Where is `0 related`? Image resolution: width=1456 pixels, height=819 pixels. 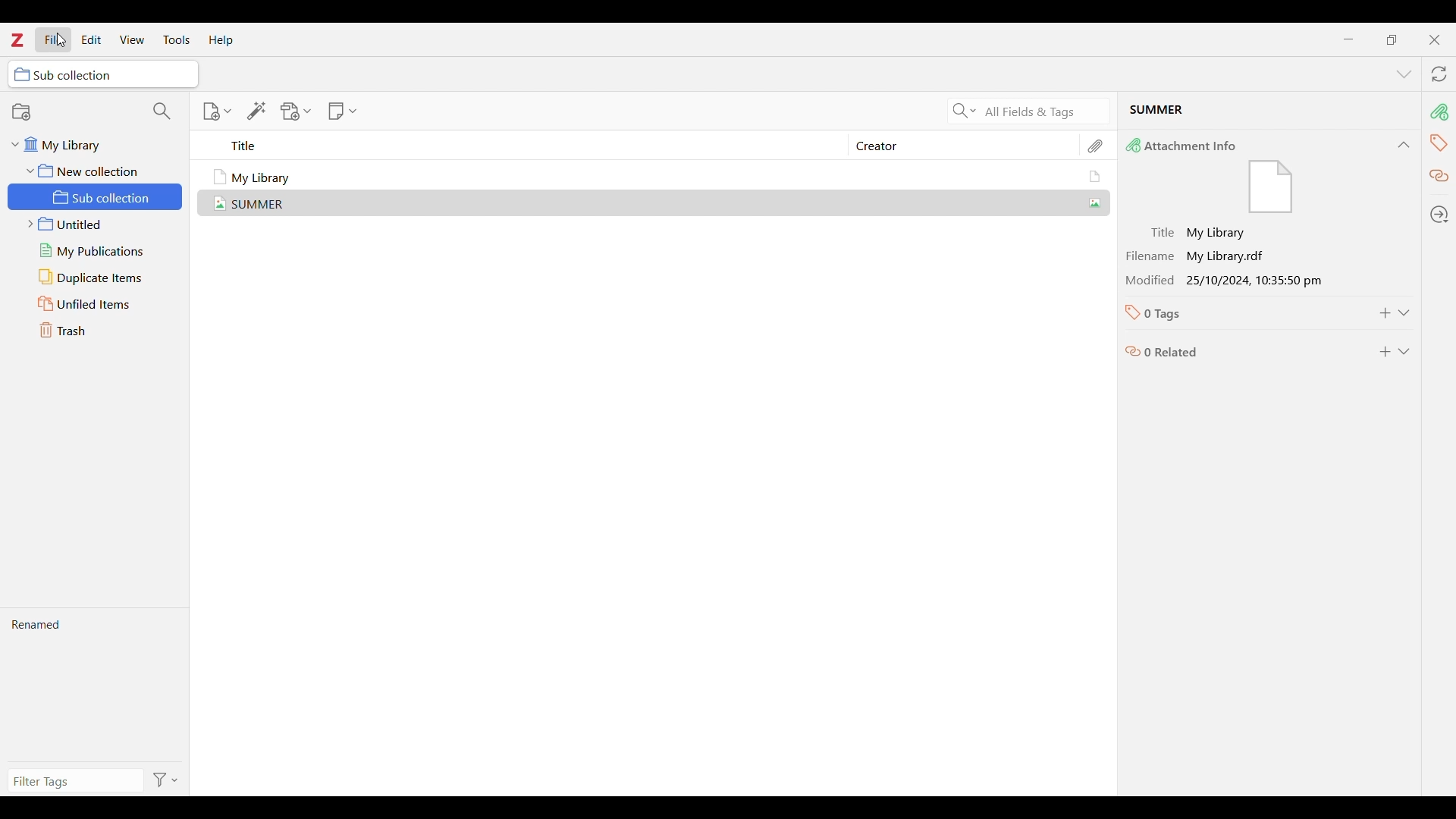 0 related is located at coordinates (1241, 348).